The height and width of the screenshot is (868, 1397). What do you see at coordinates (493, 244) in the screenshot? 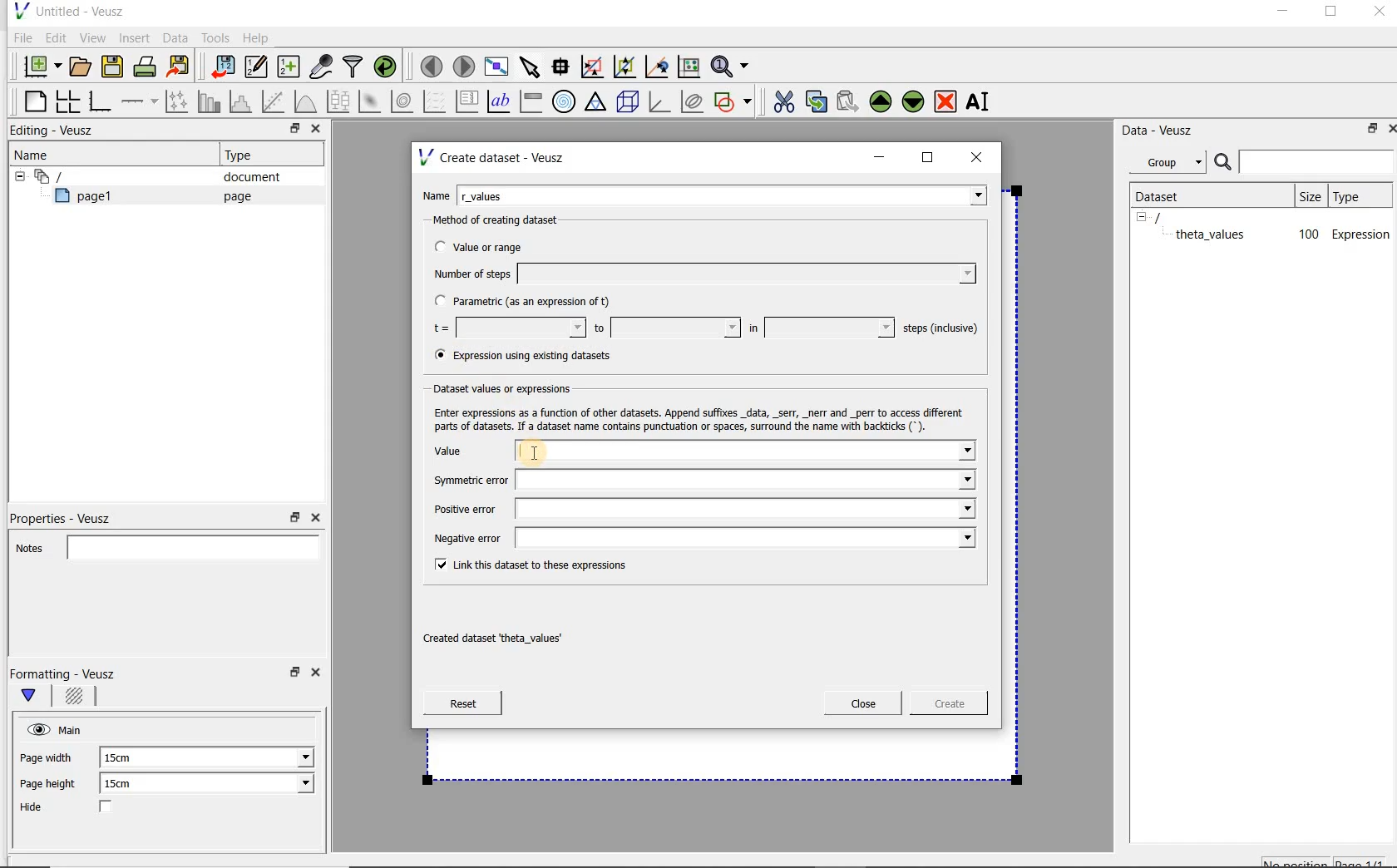
I see `Value or range` at bounding box center [493, 244].